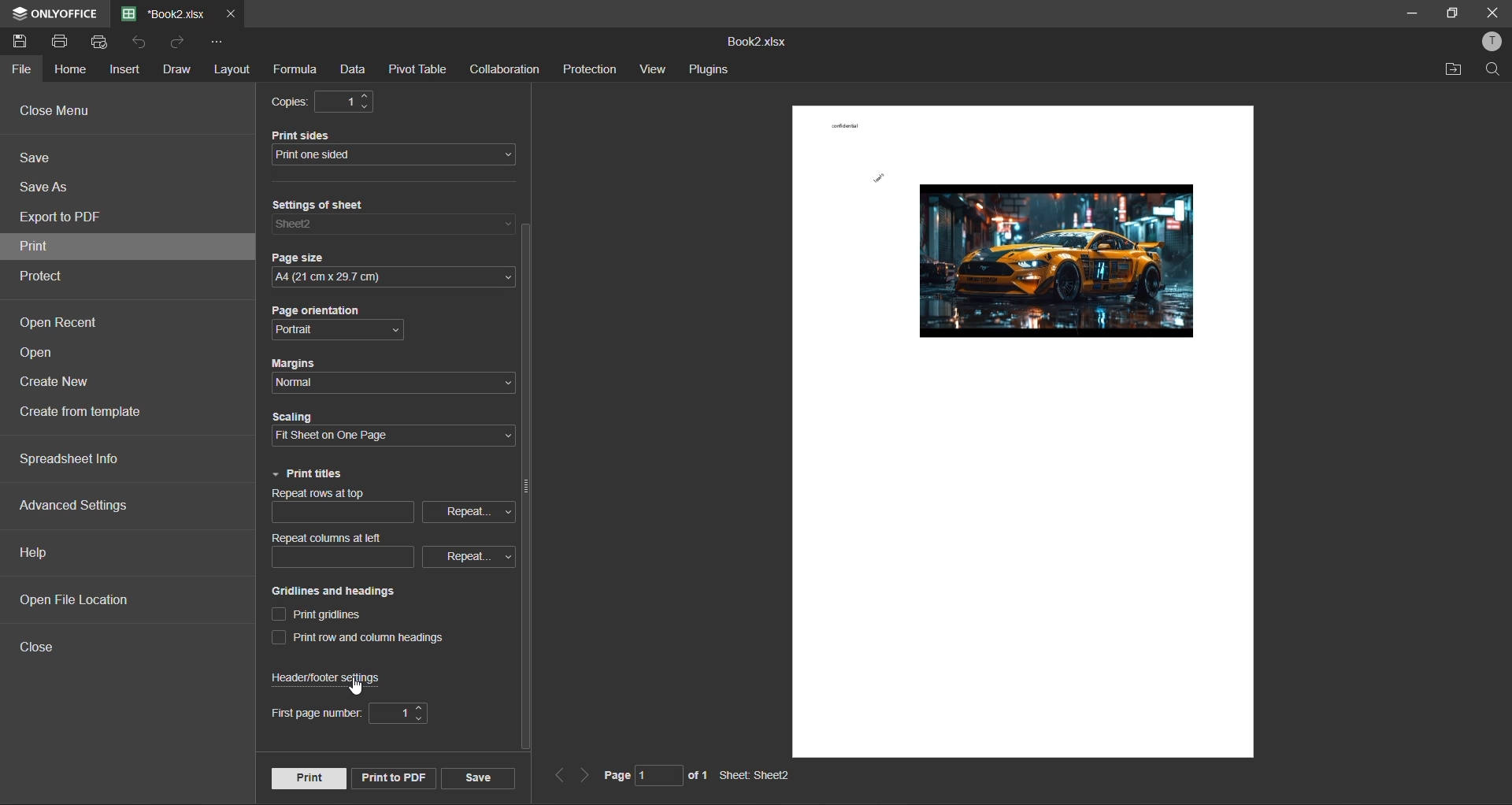  I want to click on page orientation, so click(337, 332).